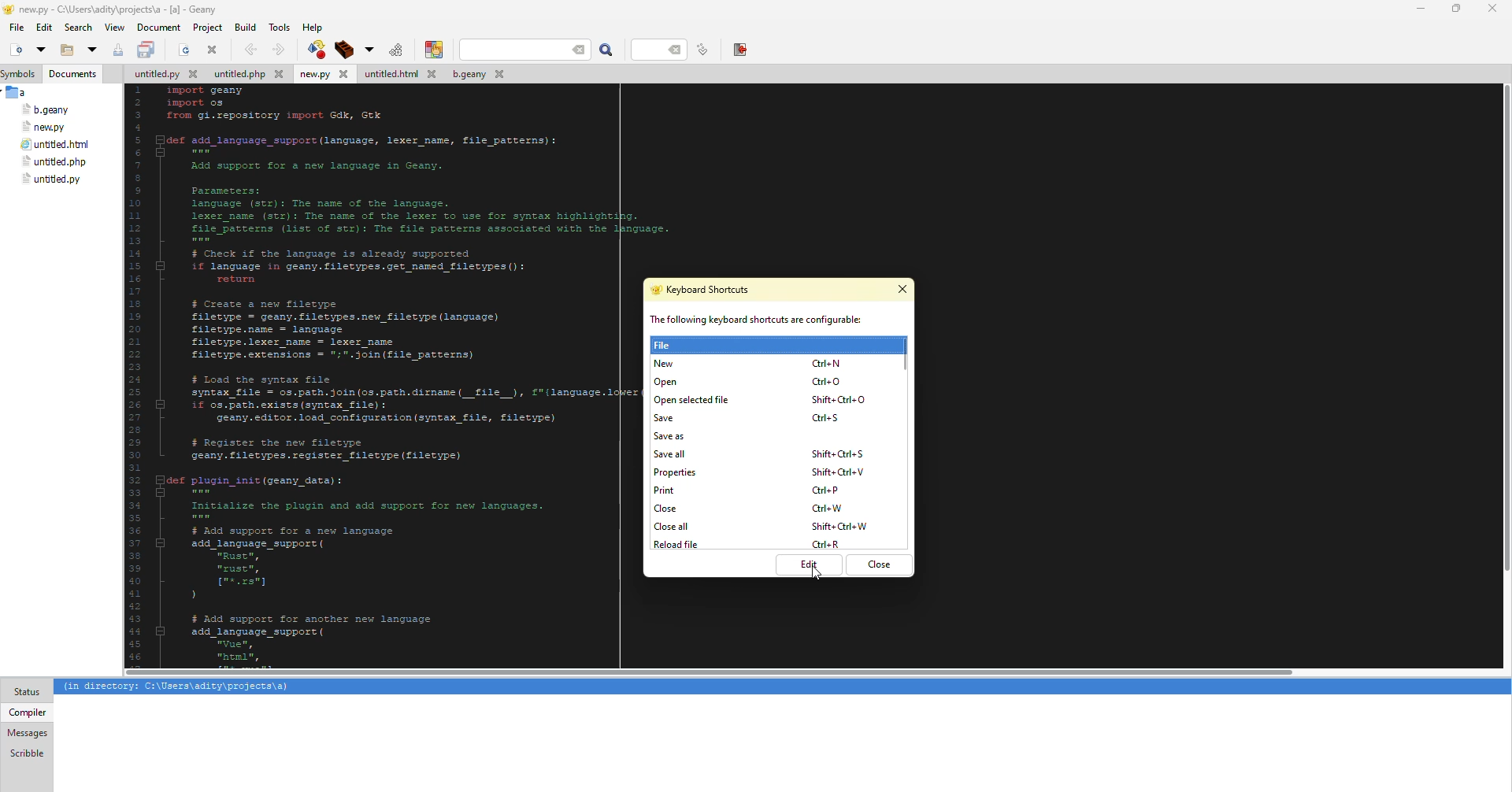  I want to click on save, so click(665, 418).